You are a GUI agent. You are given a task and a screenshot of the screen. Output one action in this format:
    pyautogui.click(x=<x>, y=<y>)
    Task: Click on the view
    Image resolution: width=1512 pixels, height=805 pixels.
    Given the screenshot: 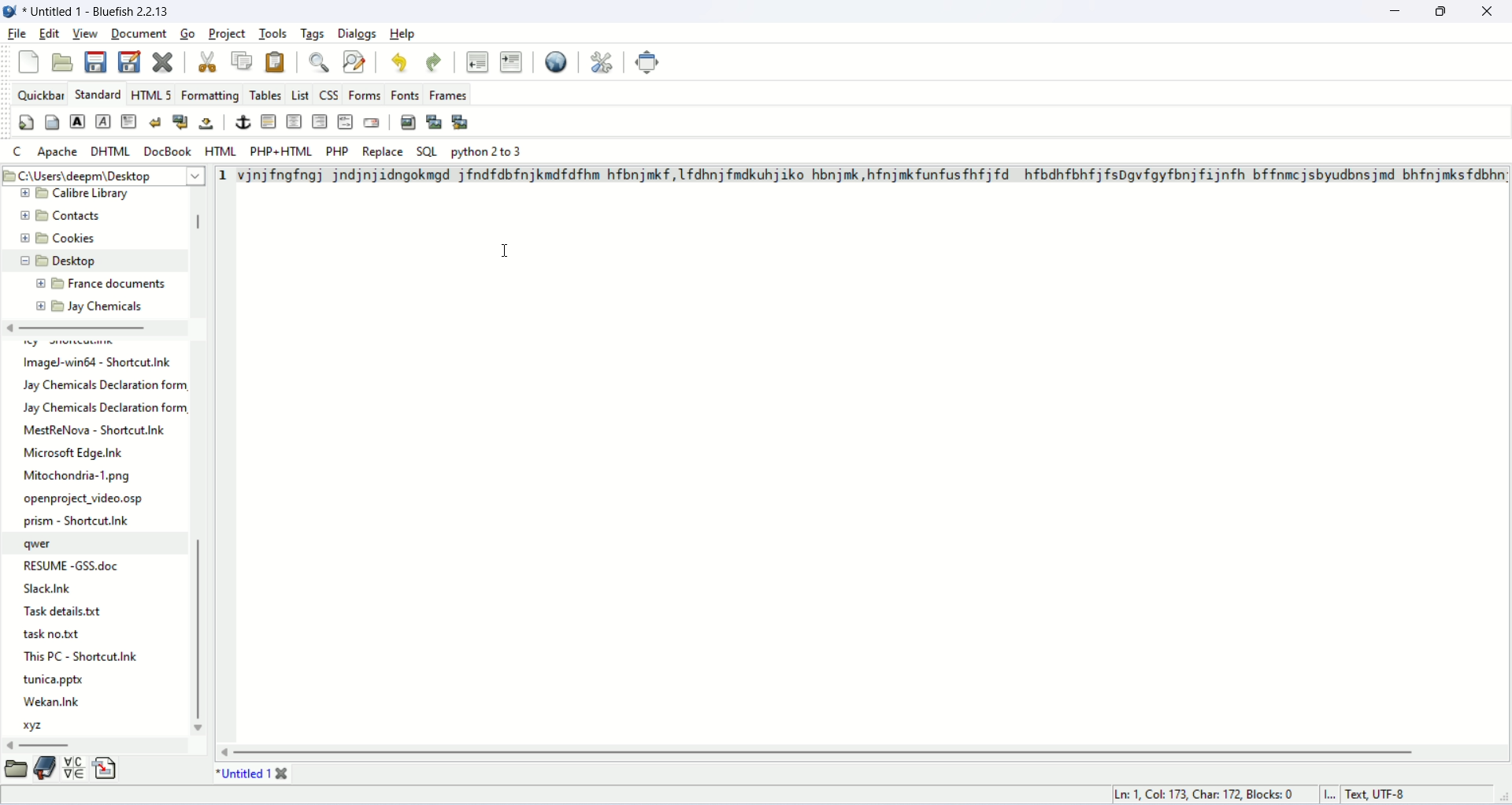 What is the action you would take?
    pyautogui.click(x=86, y=32)
    